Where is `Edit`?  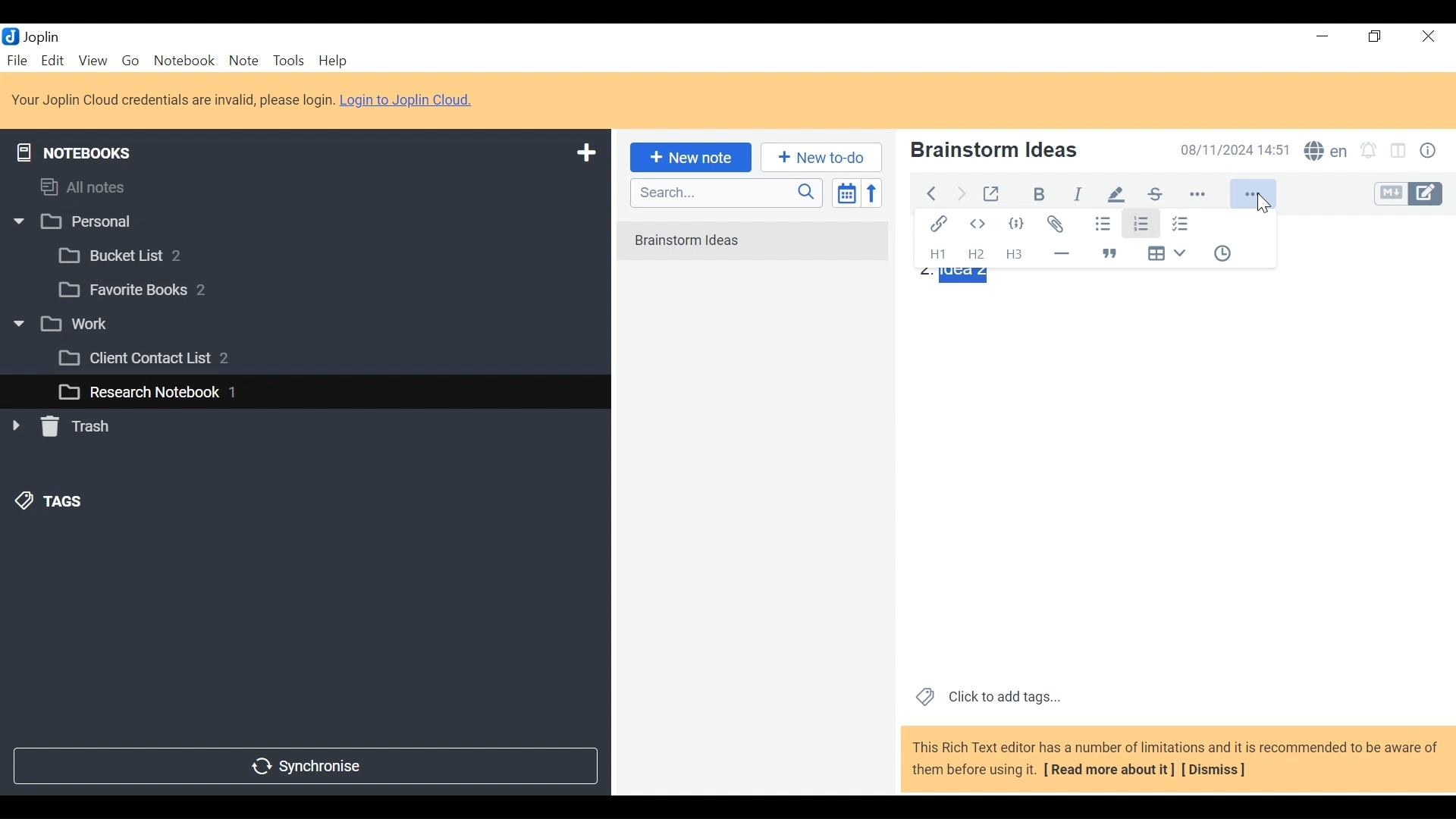 Edit is located at coordinates (54, 60).